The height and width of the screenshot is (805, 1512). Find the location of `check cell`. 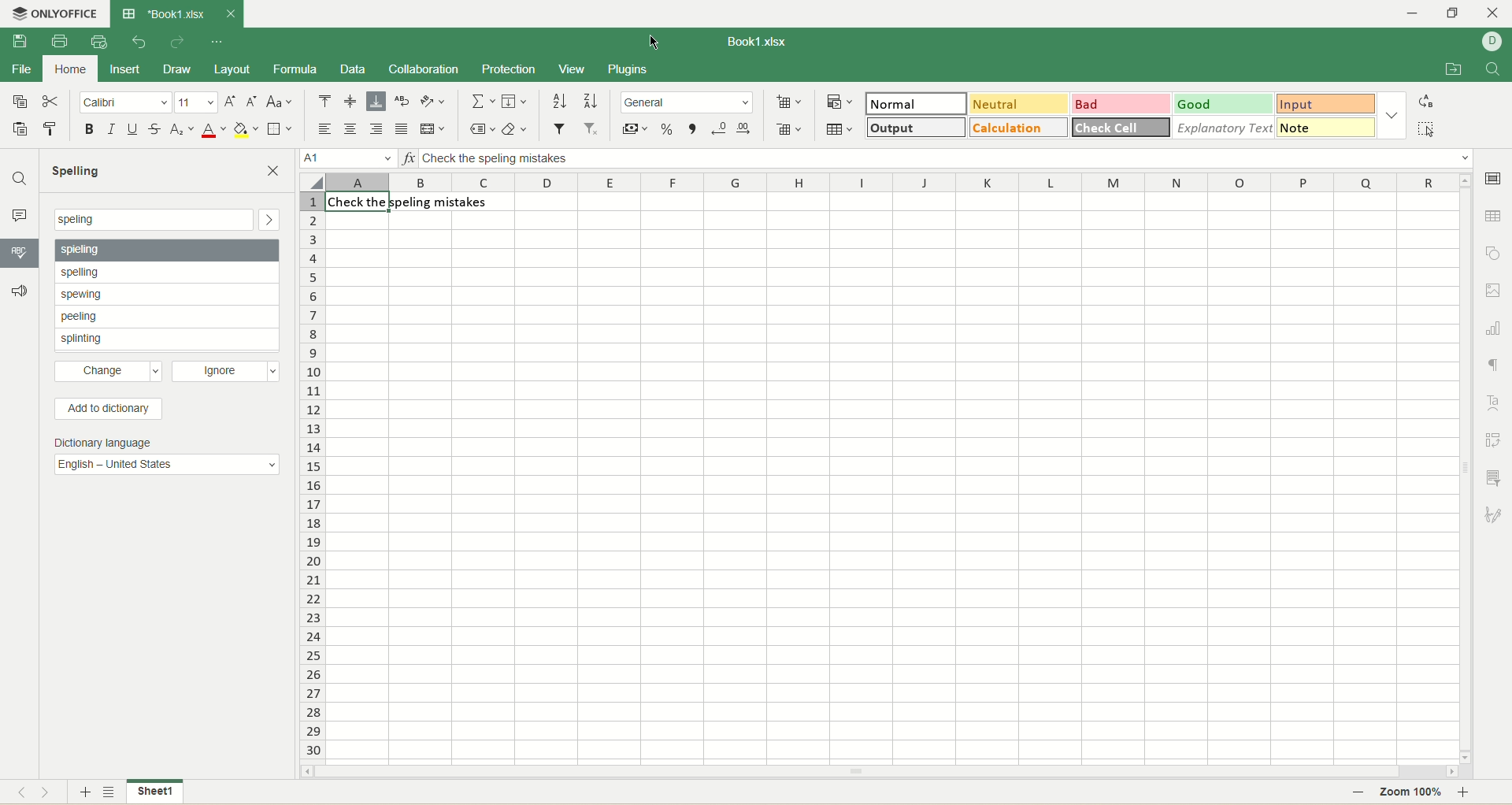

check cell is located at coordinates (1121, 128).